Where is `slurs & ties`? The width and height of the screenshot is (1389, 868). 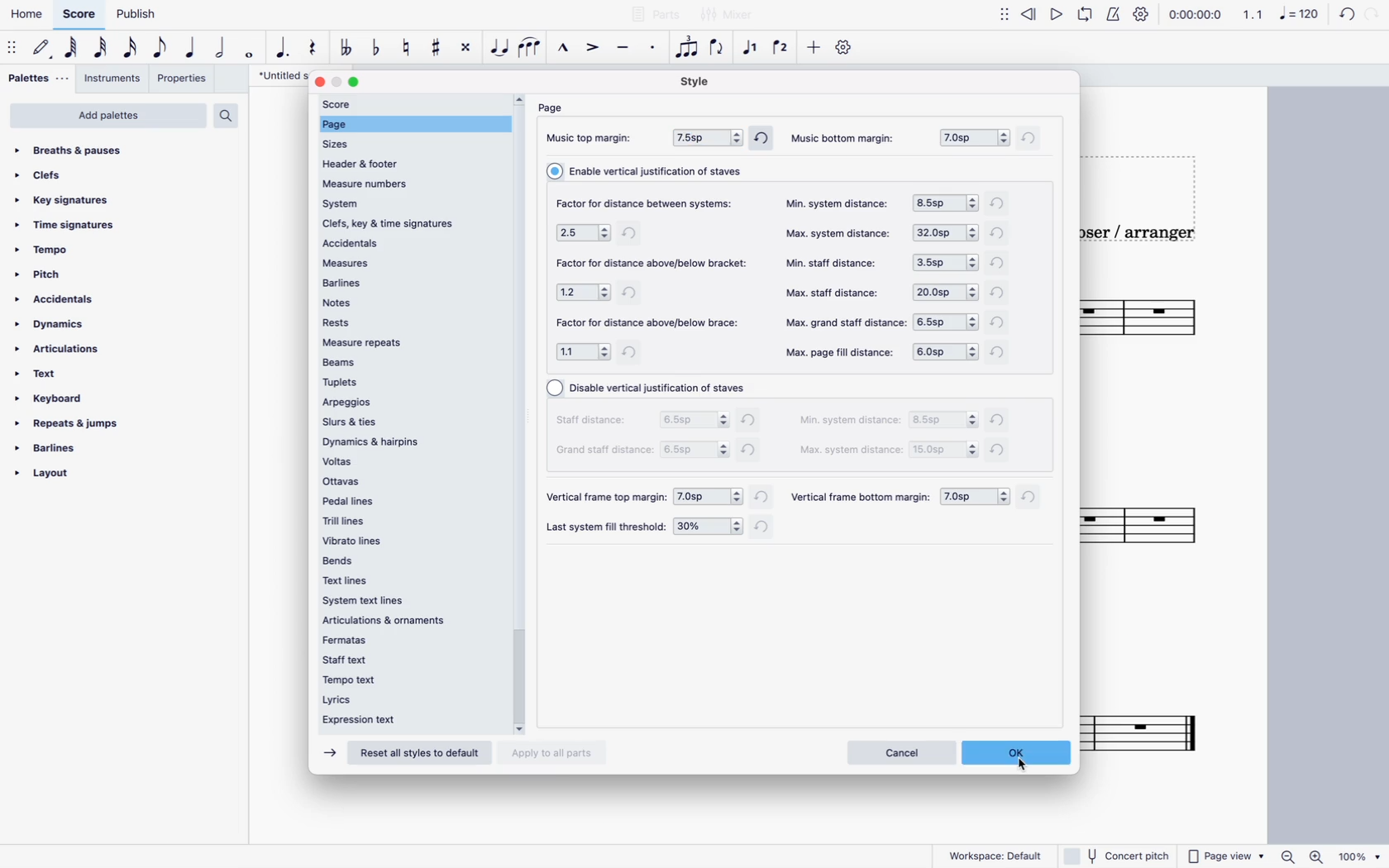
slurs & ties is located at coordinates (408, 422).